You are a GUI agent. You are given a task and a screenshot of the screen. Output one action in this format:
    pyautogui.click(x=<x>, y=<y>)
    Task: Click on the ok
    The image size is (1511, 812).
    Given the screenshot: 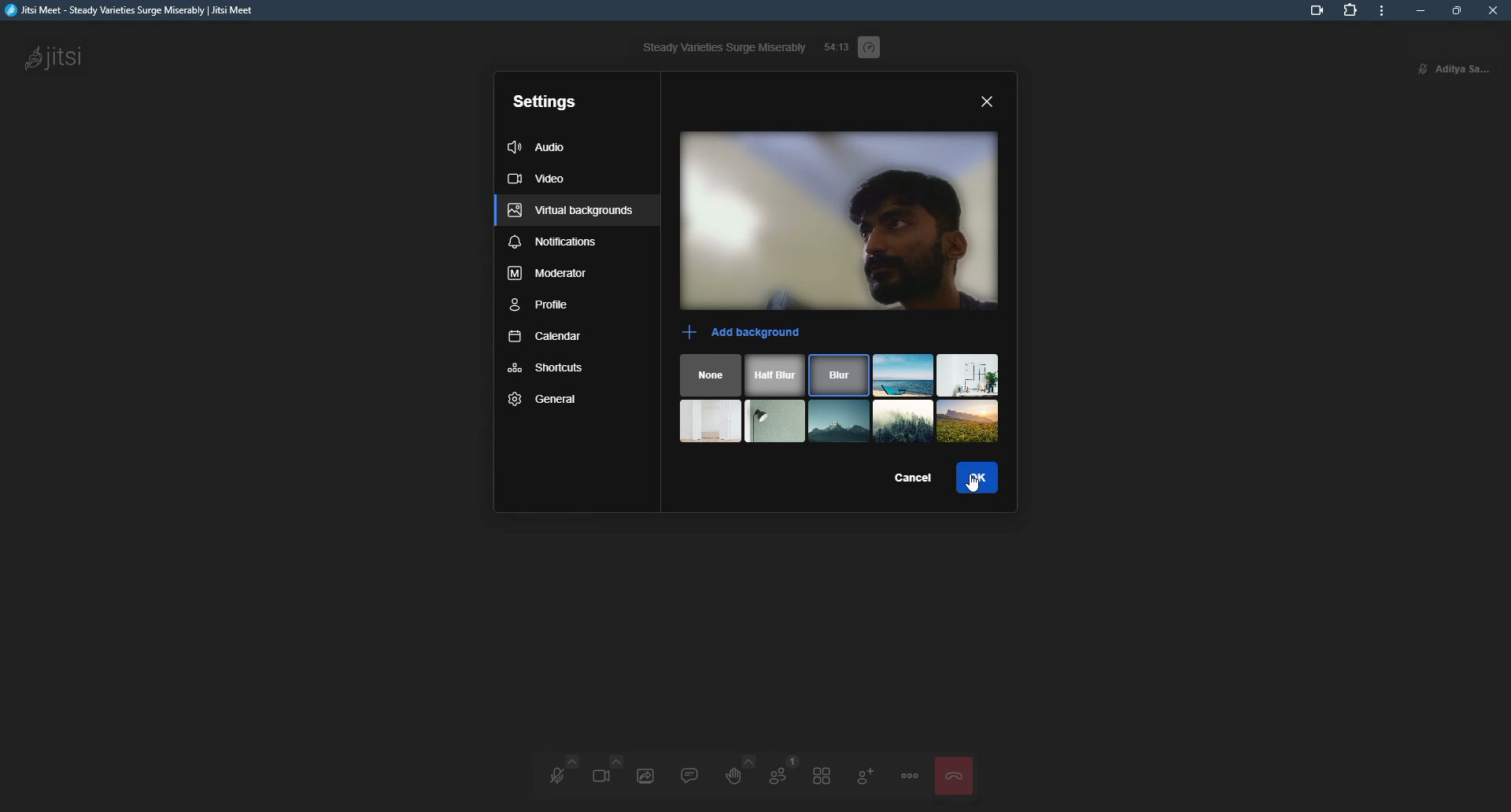 What is the action you would take?
    pyautogui.click(x=976, y=478)
    